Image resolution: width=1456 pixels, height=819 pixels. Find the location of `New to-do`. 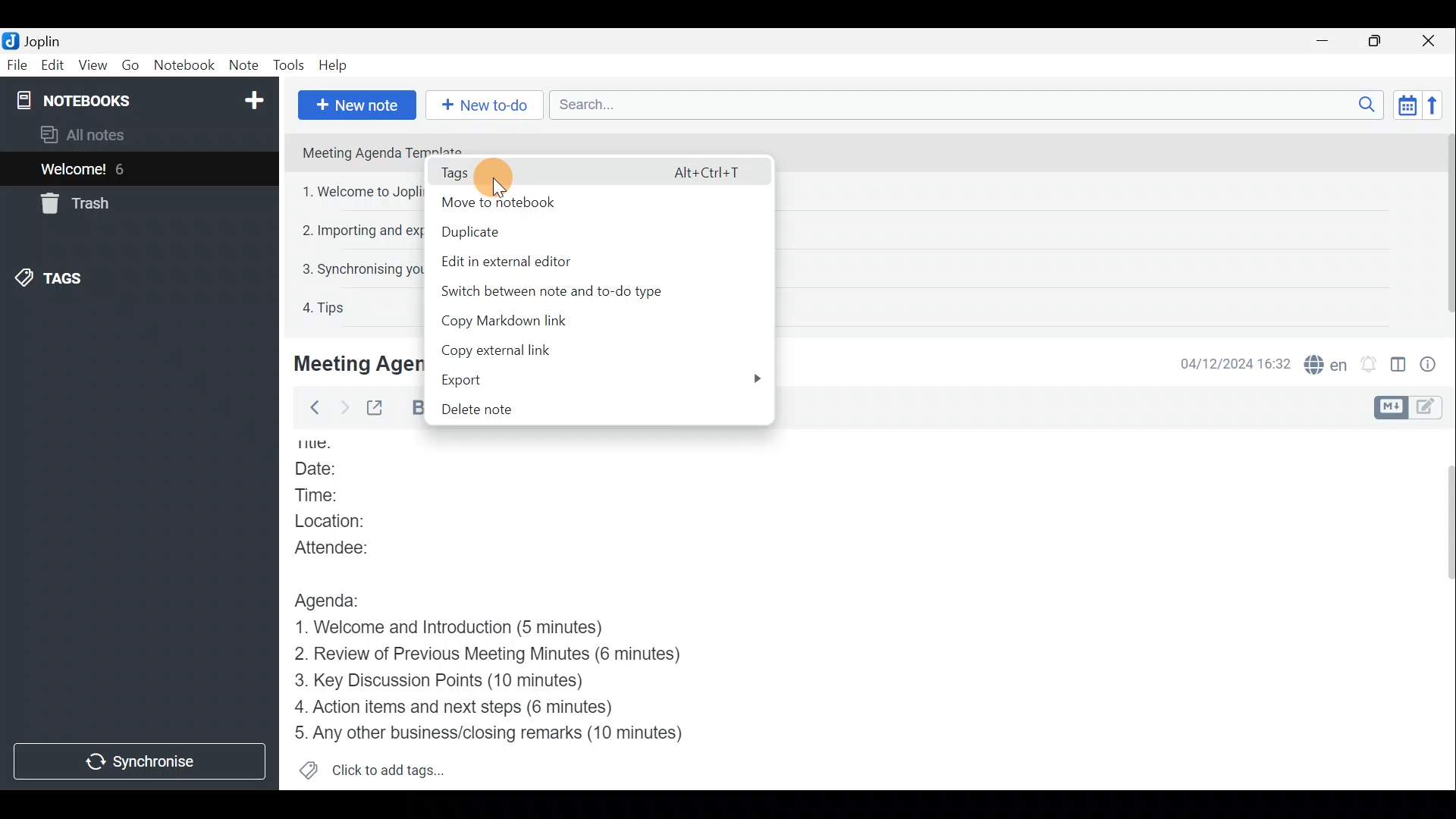

New to-do is located at coordinates (477, 102).